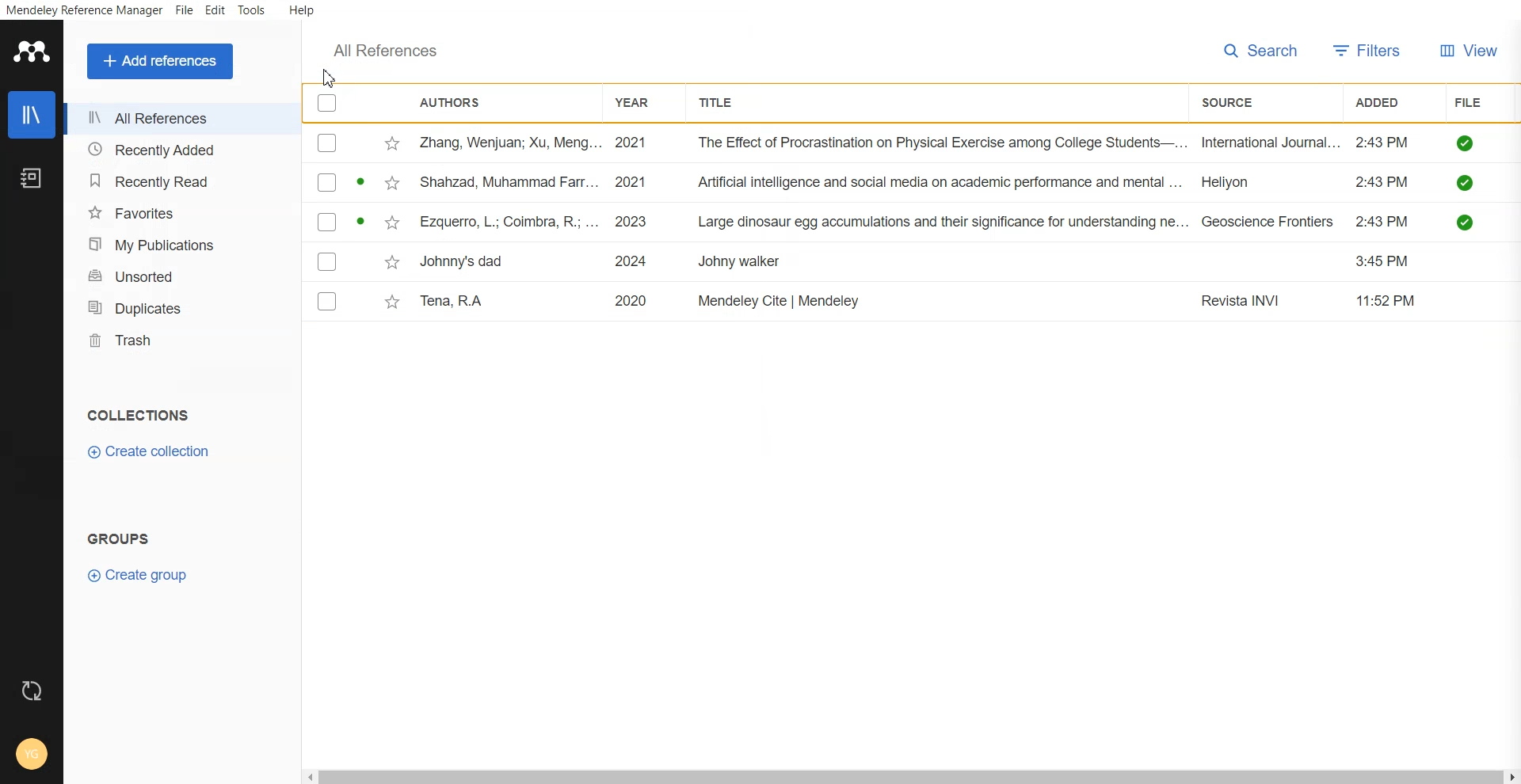 The height and width of the screenshot is (784, 1521). What do you see at coordinates (84, 11) in the screenshot?
I see `Mendeley Reference Manager` at bounding box center [84, 11].